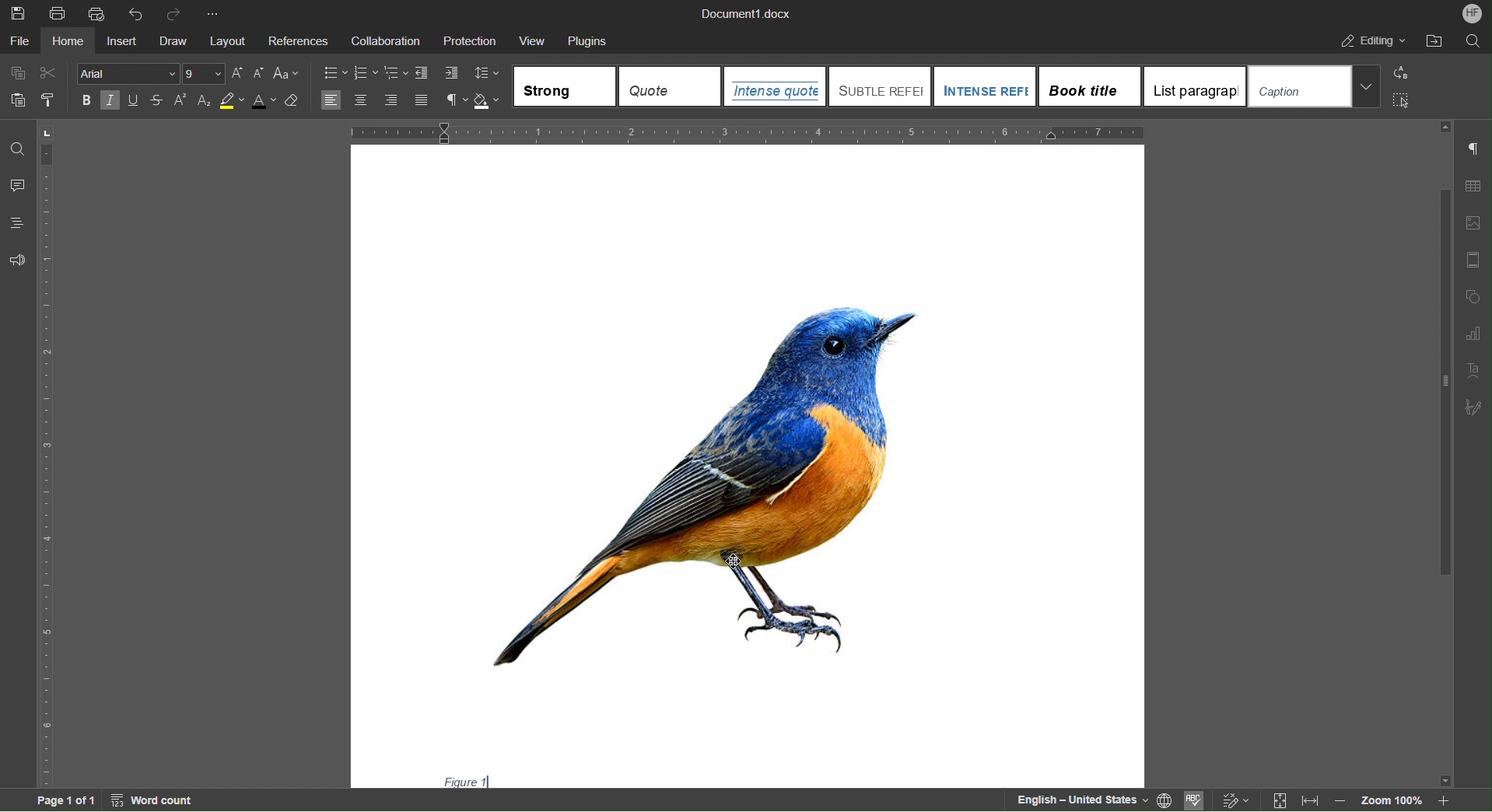 Image resolution: width=1492 pixels, height=812 pixels. I want to click on Non-Printing Characters, so click(1474, 148).